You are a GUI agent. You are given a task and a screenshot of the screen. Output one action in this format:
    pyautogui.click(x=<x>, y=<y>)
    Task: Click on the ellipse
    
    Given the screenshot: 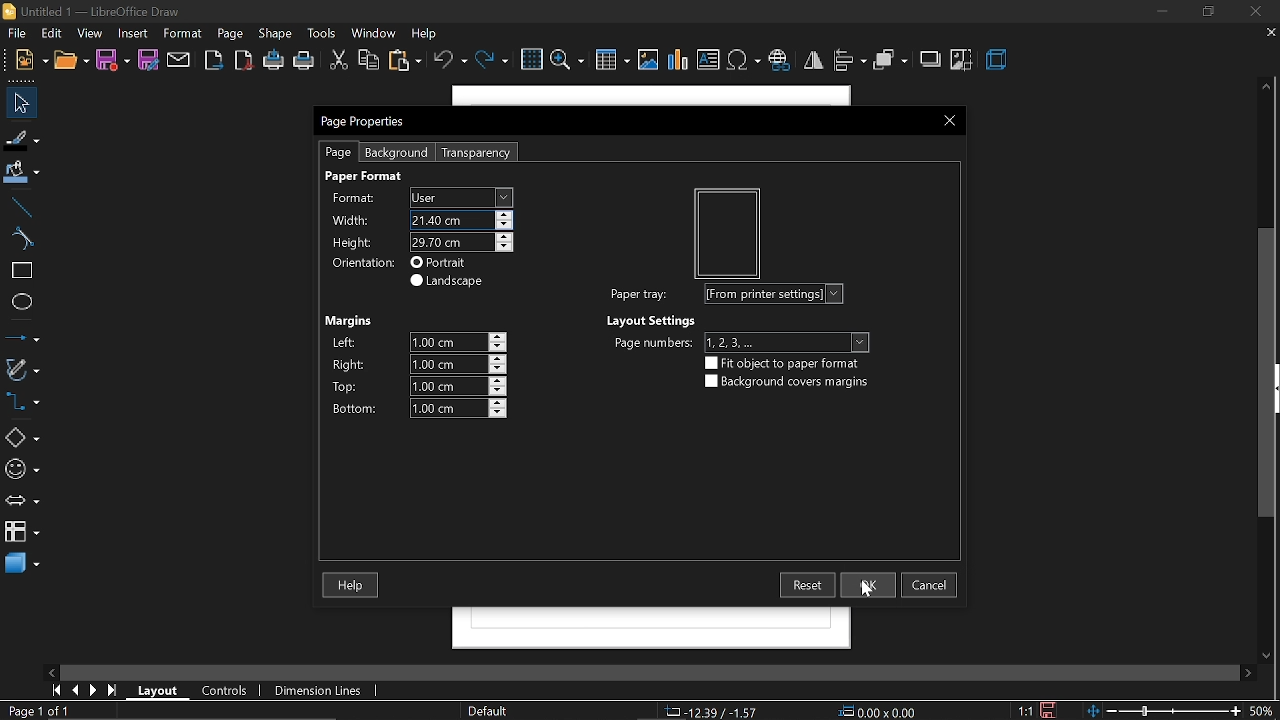 What is the action you would take?
    pyautogui.click(x=21, y=304)
    